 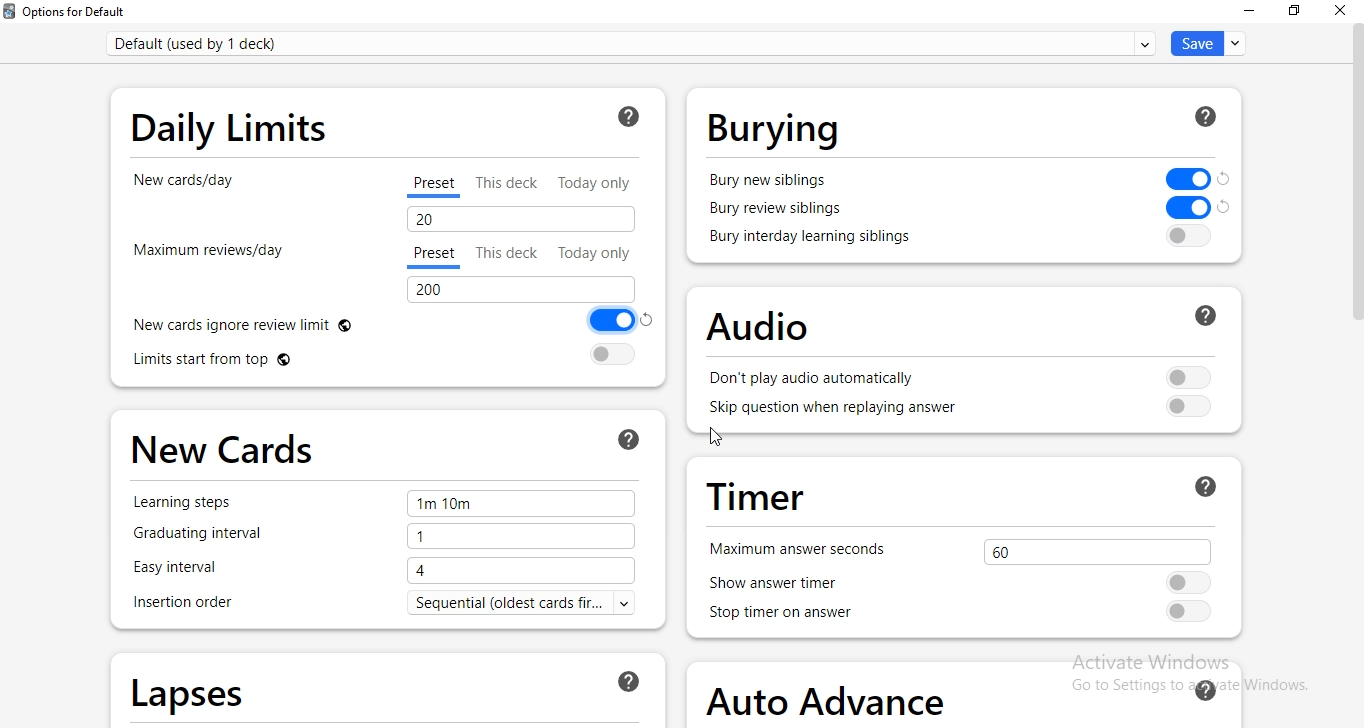 What do you see at coordinates (1189, 582) in the screenshot?
I see `Toggle` at bounding box center [1189, 582].